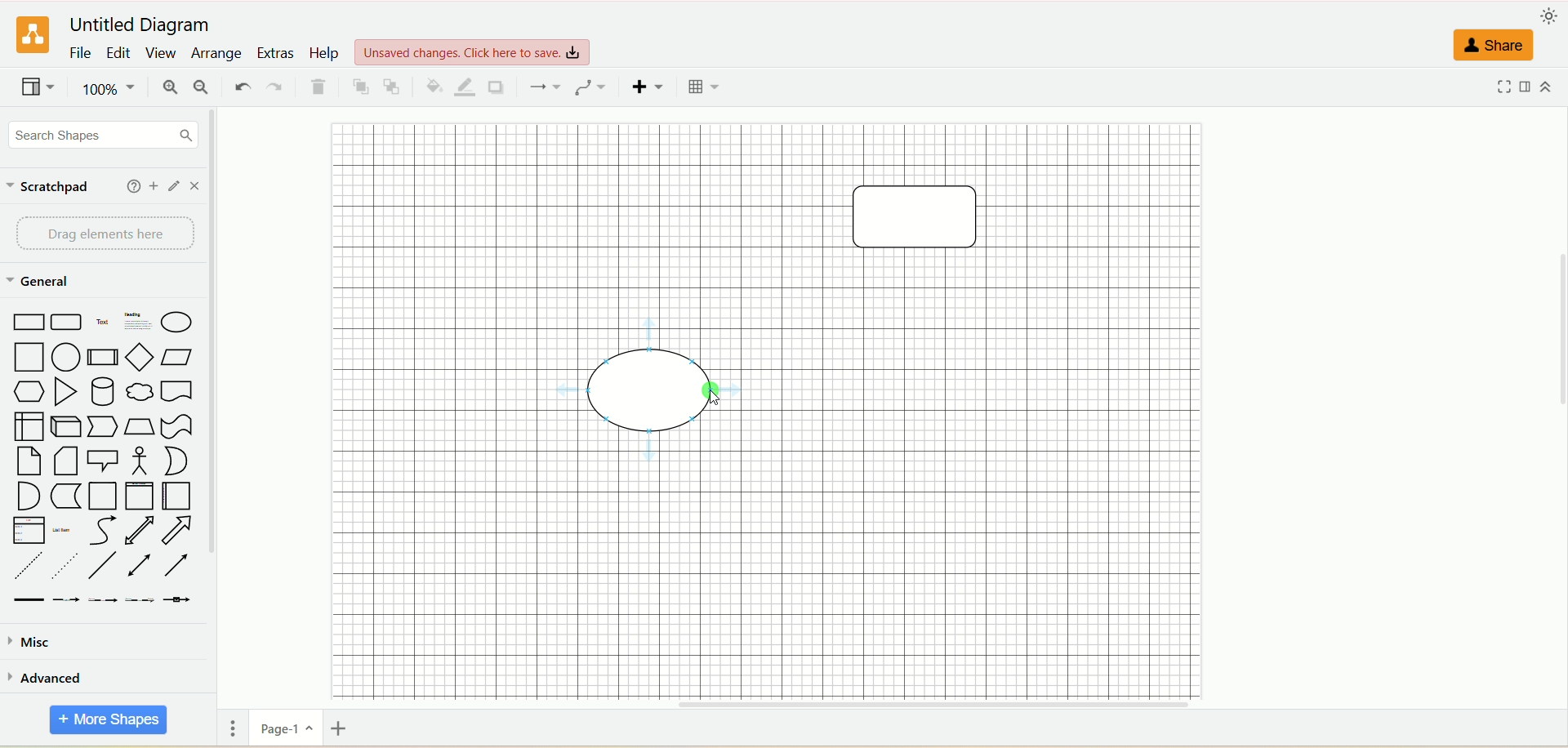 The image size is (1568, 748). I want to click on connection, so click(543, 86).